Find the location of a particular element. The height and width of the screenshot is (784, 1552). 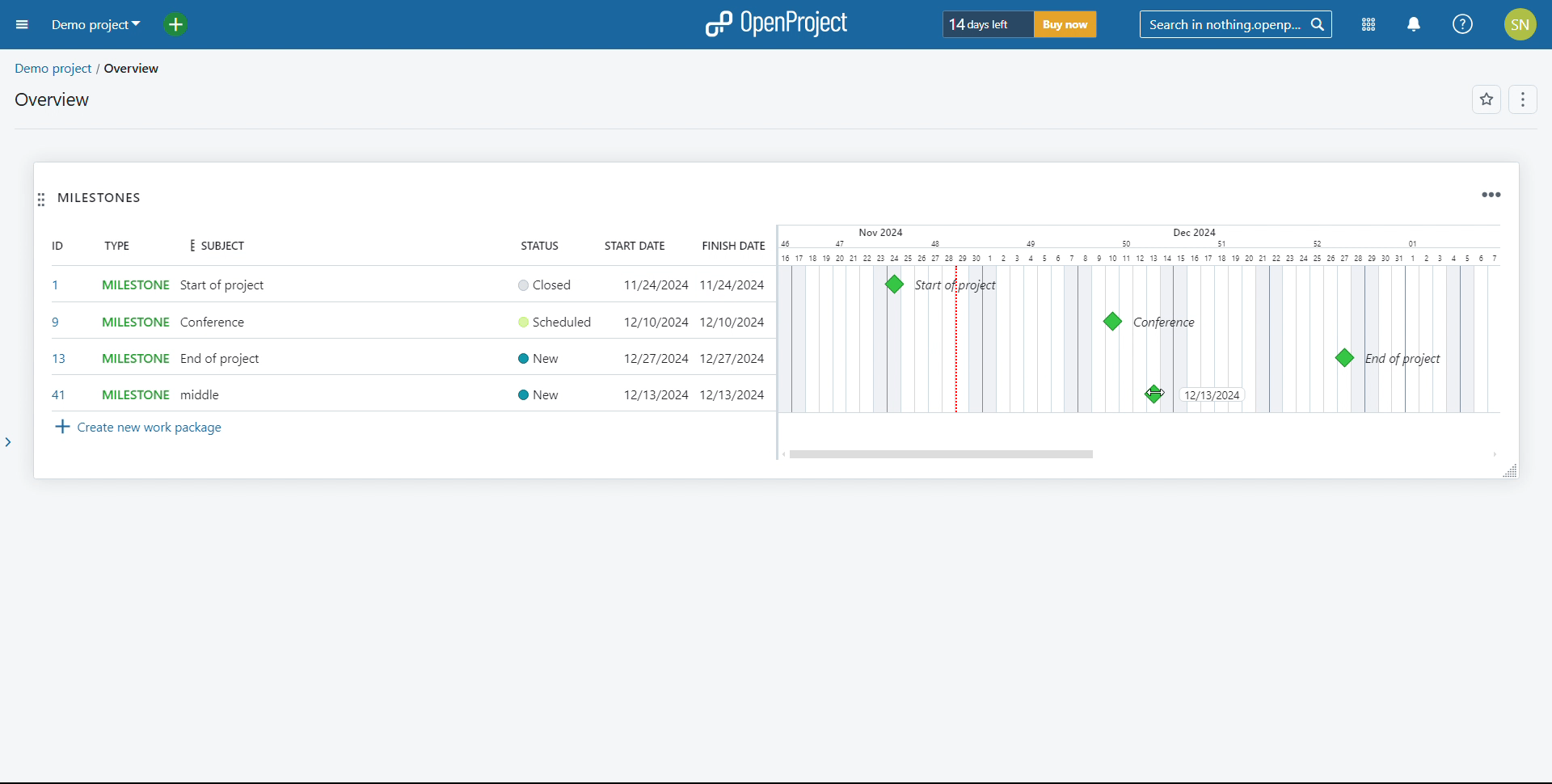

resize is located at coordinates (1509, 470).